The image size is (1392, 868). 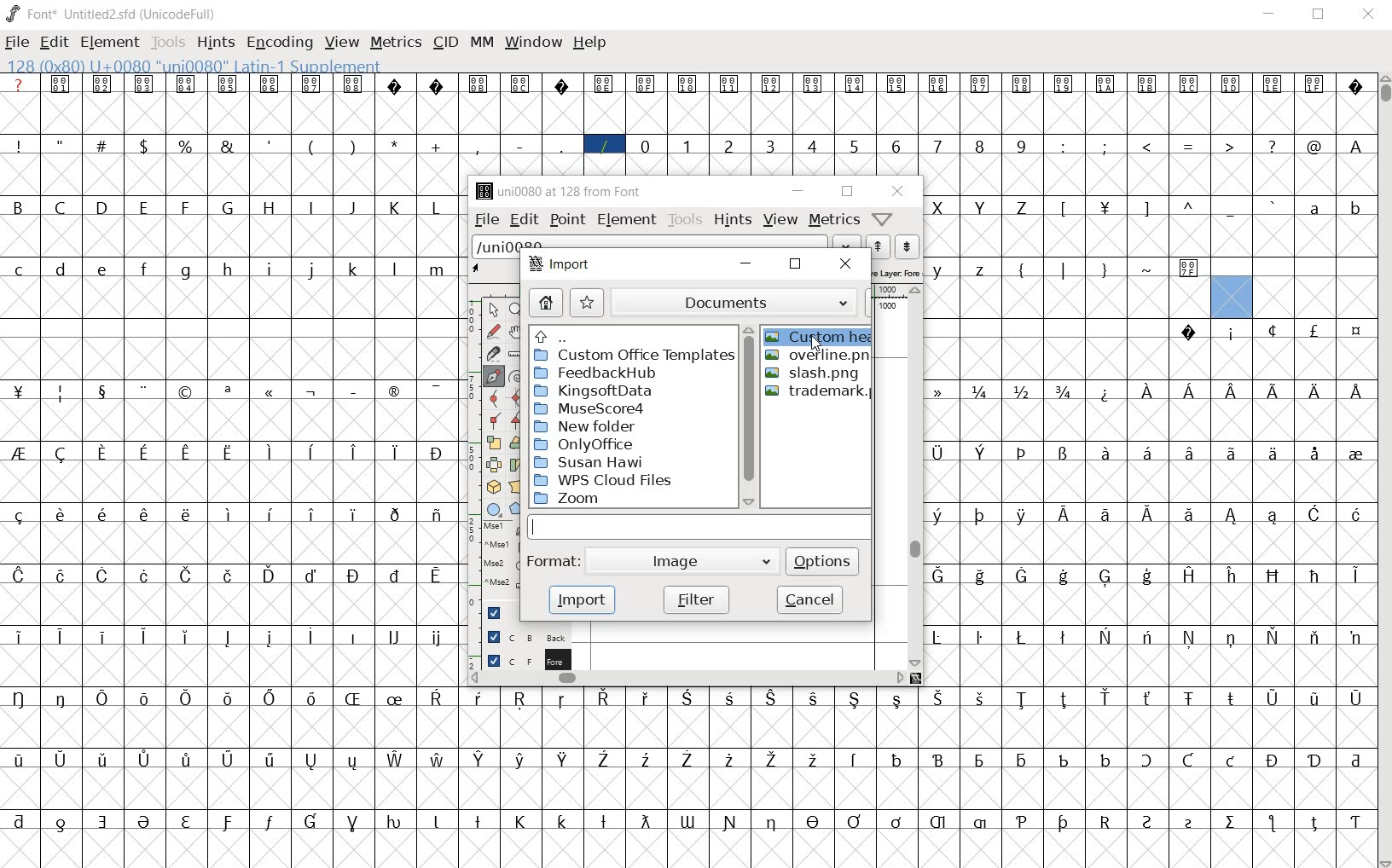 I want to click on glyph, so click(x=20, y=270).